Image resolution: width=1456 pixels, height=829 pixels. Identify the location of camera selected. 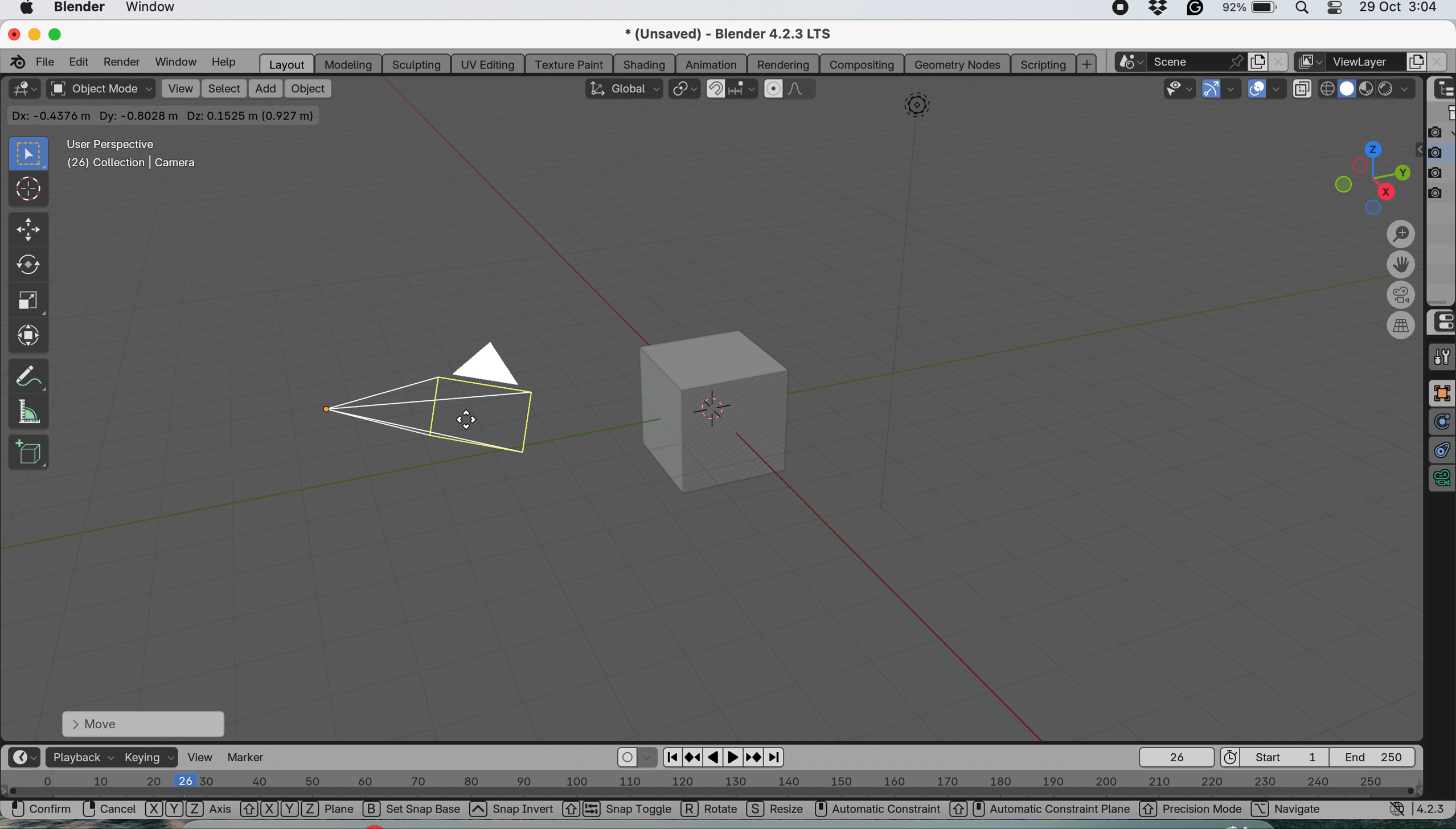
(433, 396).